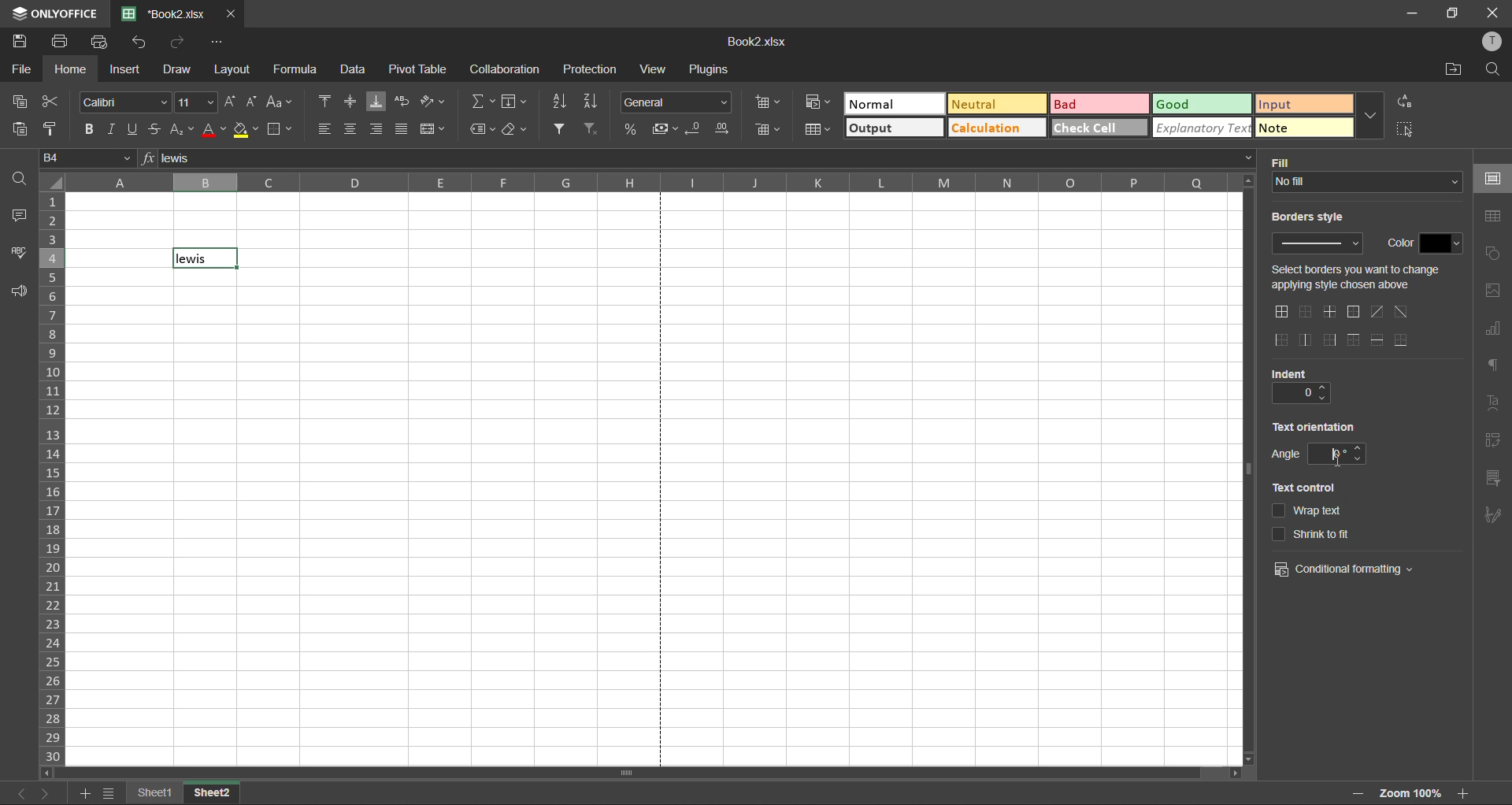 This screenshot has width=1512, height=805. What do you see at coordinates (22, 69) in the screenshot?
I see `file` at bounding box center [22, 69].